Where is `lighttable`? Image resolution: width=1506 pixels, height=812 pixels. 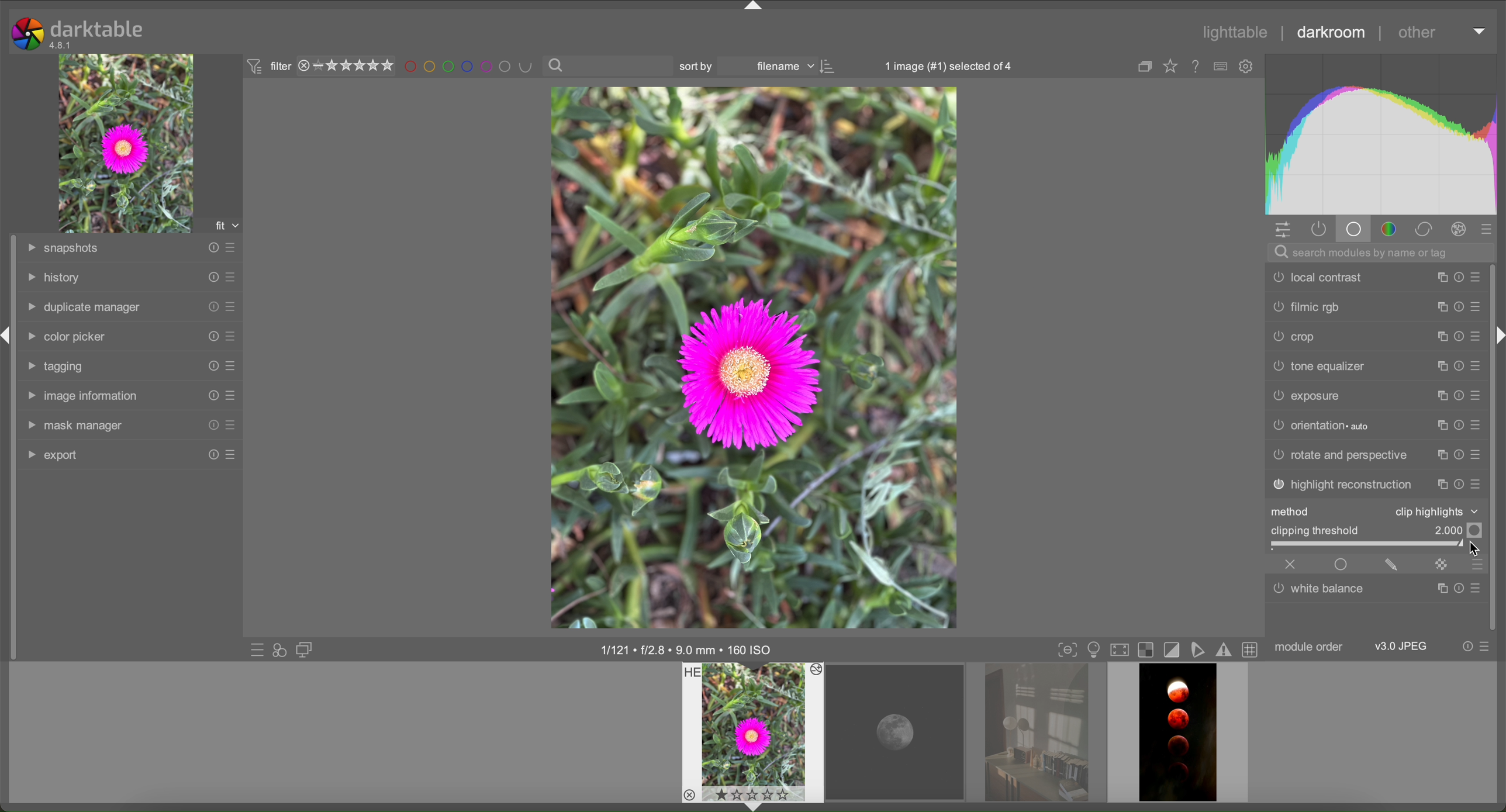 lighttable is located at coordinates (1236, 32).